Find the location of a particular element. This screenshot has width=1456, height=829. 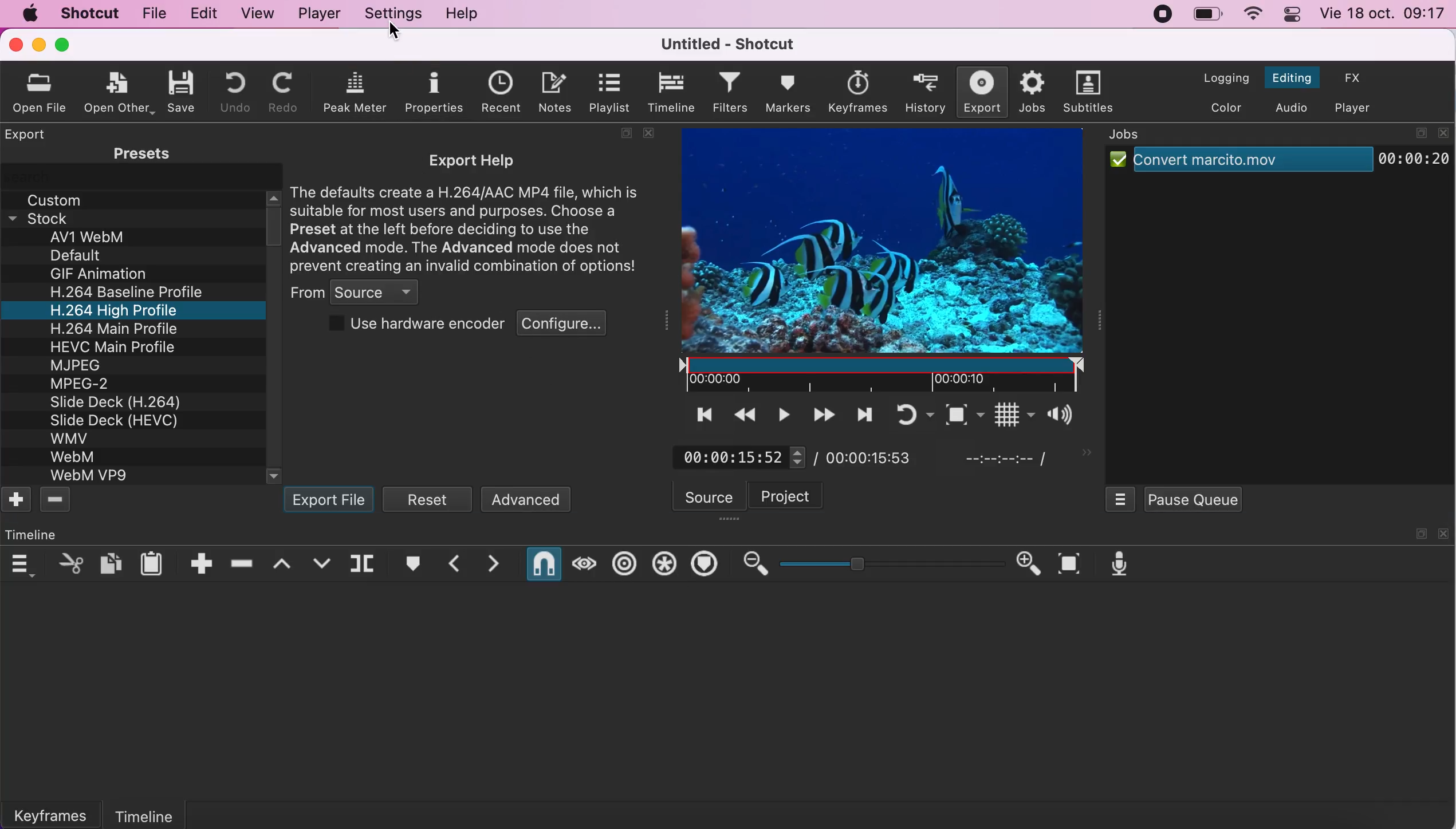

settings is located at coordinates (391, 14).